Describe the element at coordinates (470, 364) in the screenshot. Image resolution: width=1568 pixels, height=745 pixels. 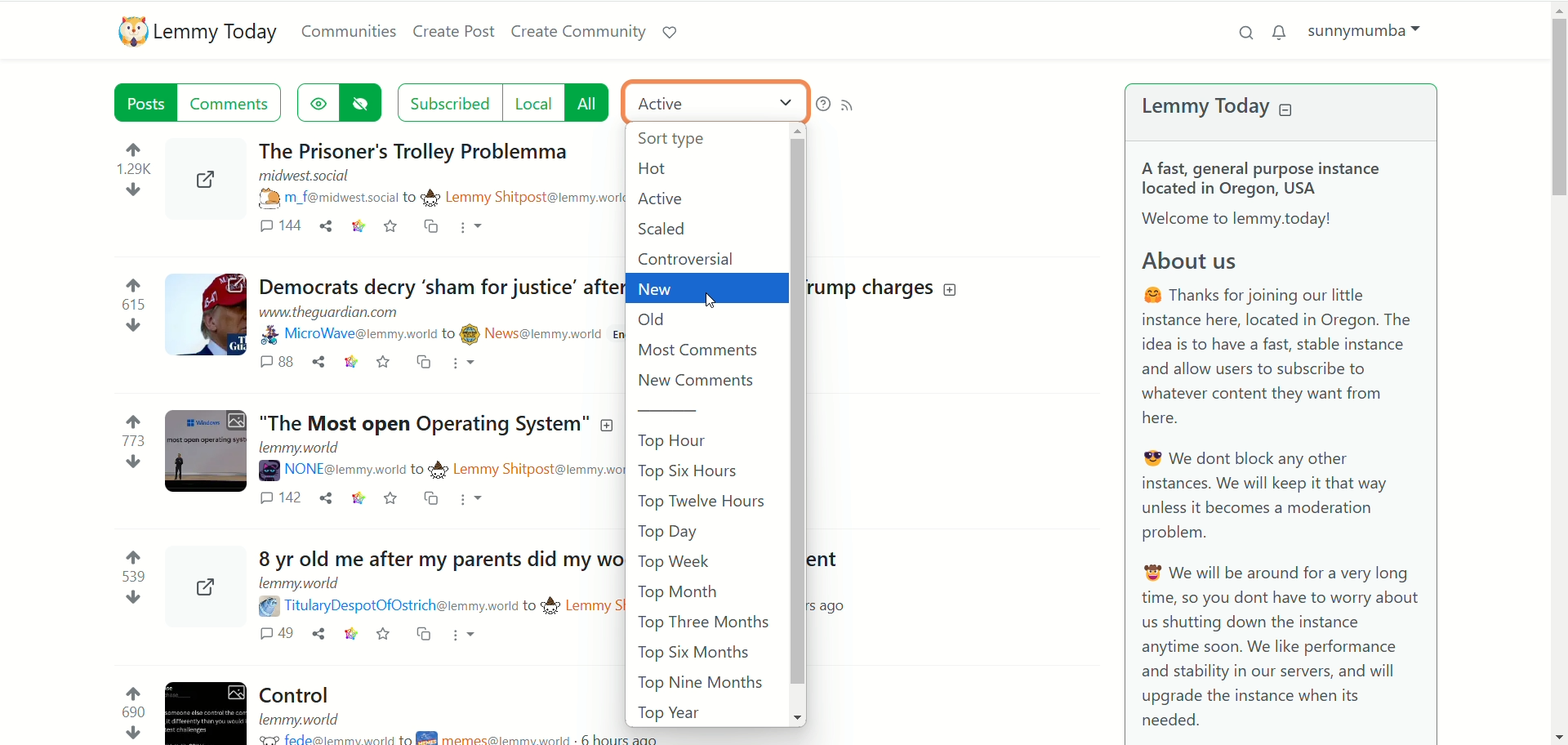
I see `more` at that location.